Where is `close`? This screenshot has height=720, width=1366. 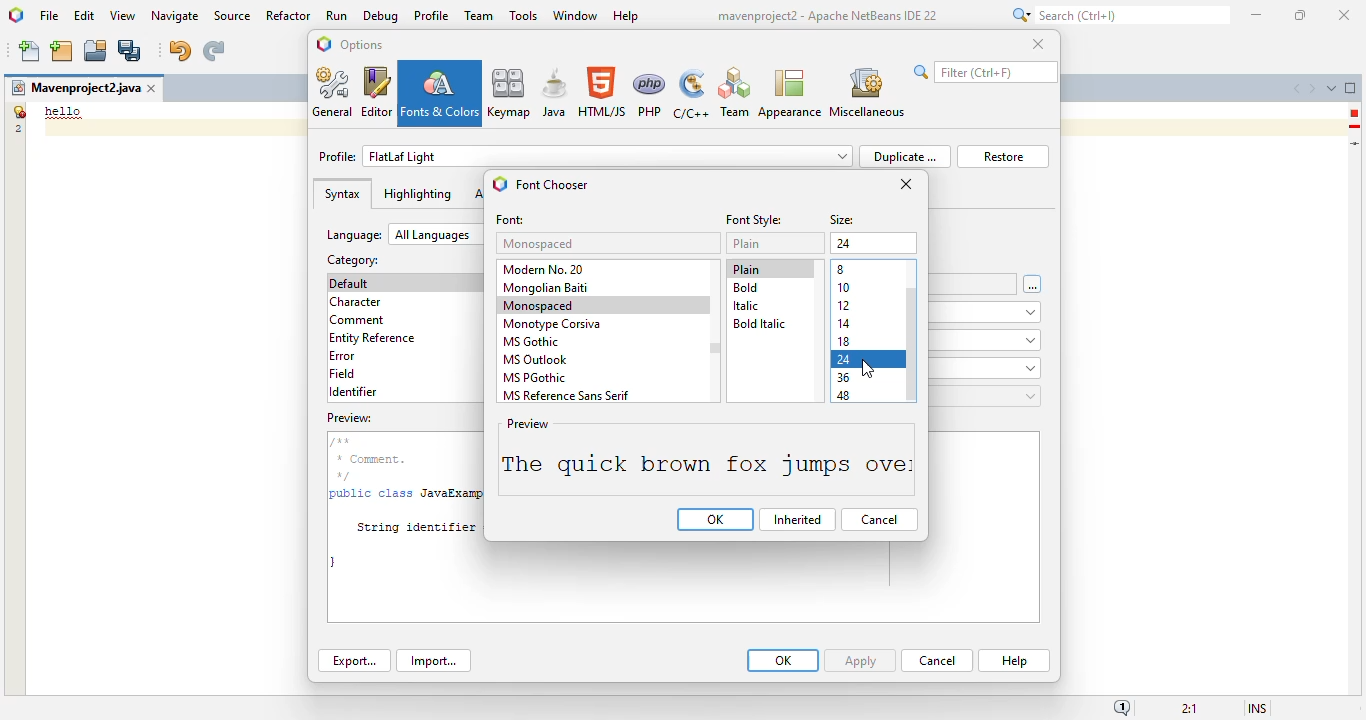
close is located at coordinates (906, 184).